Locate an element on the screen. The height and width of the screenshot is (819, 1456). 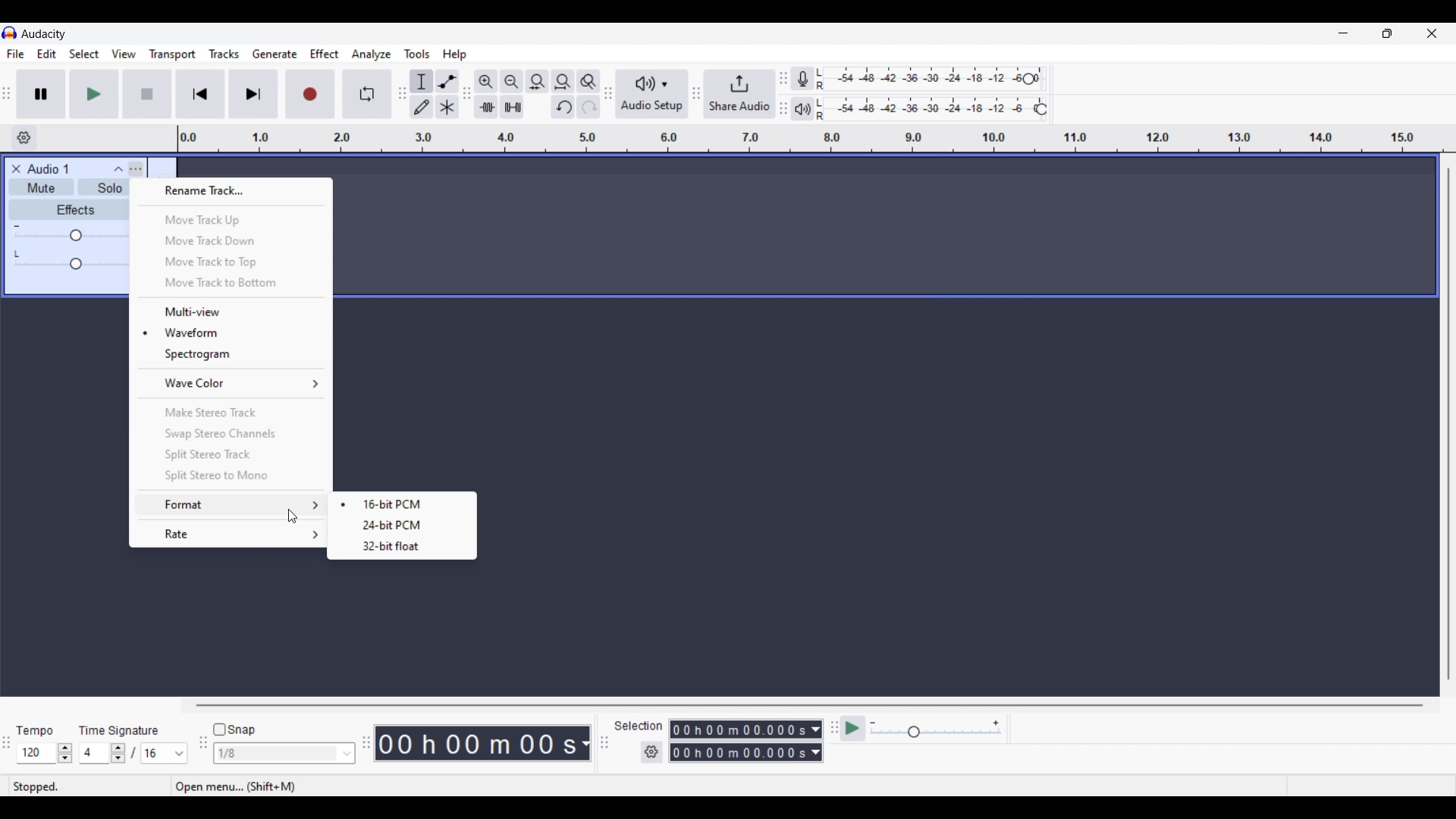
Recording level is located at coordinates (929, 80).